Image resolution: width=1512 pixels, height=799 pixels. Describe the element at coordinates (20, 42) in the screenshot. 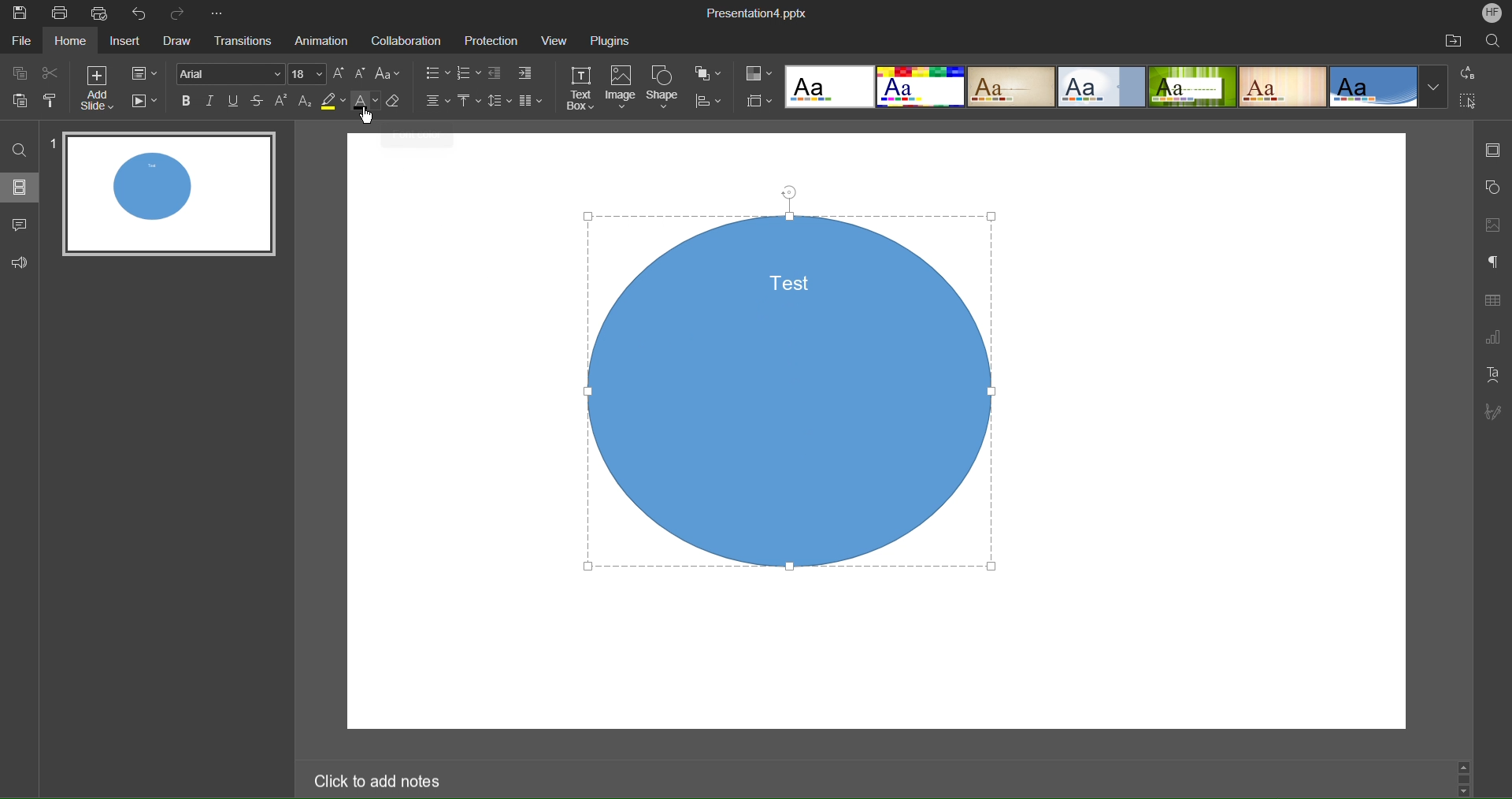

I see `File` at that location.